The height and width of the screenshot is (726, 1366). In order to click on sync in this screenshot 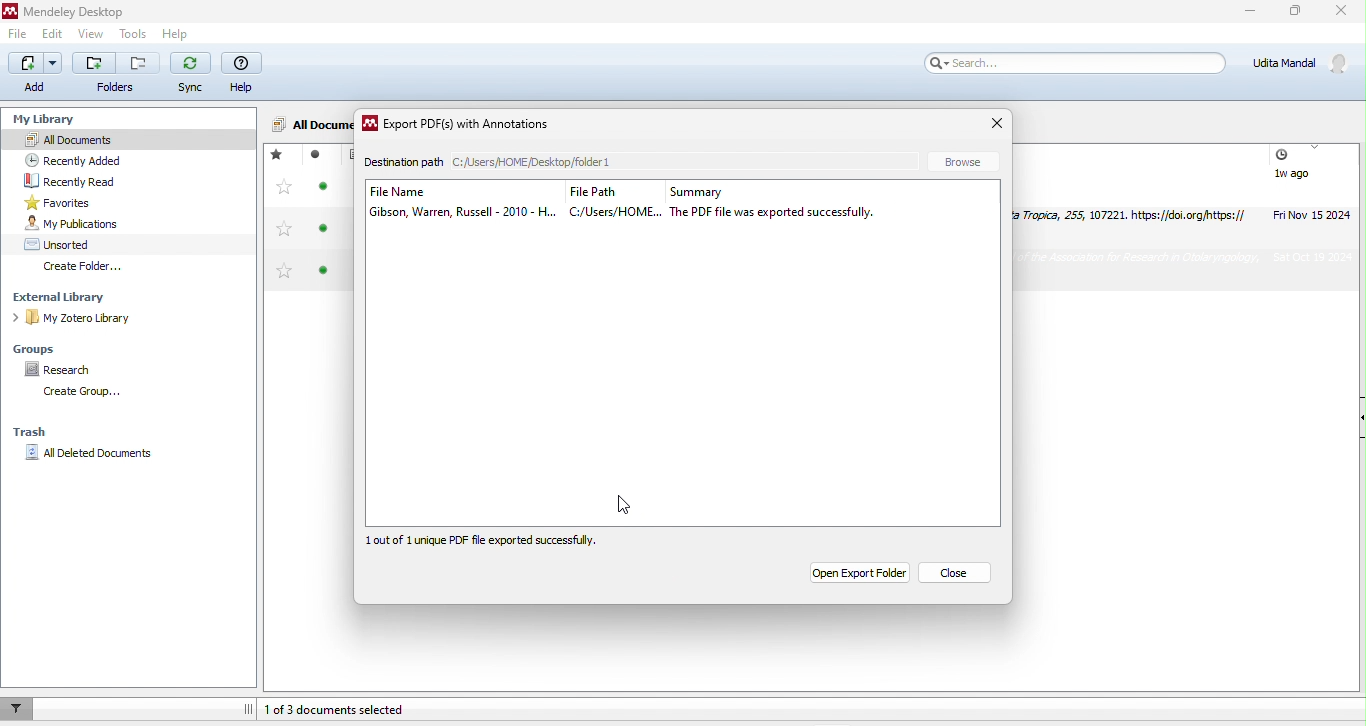, I will do `click(192, 76)`.